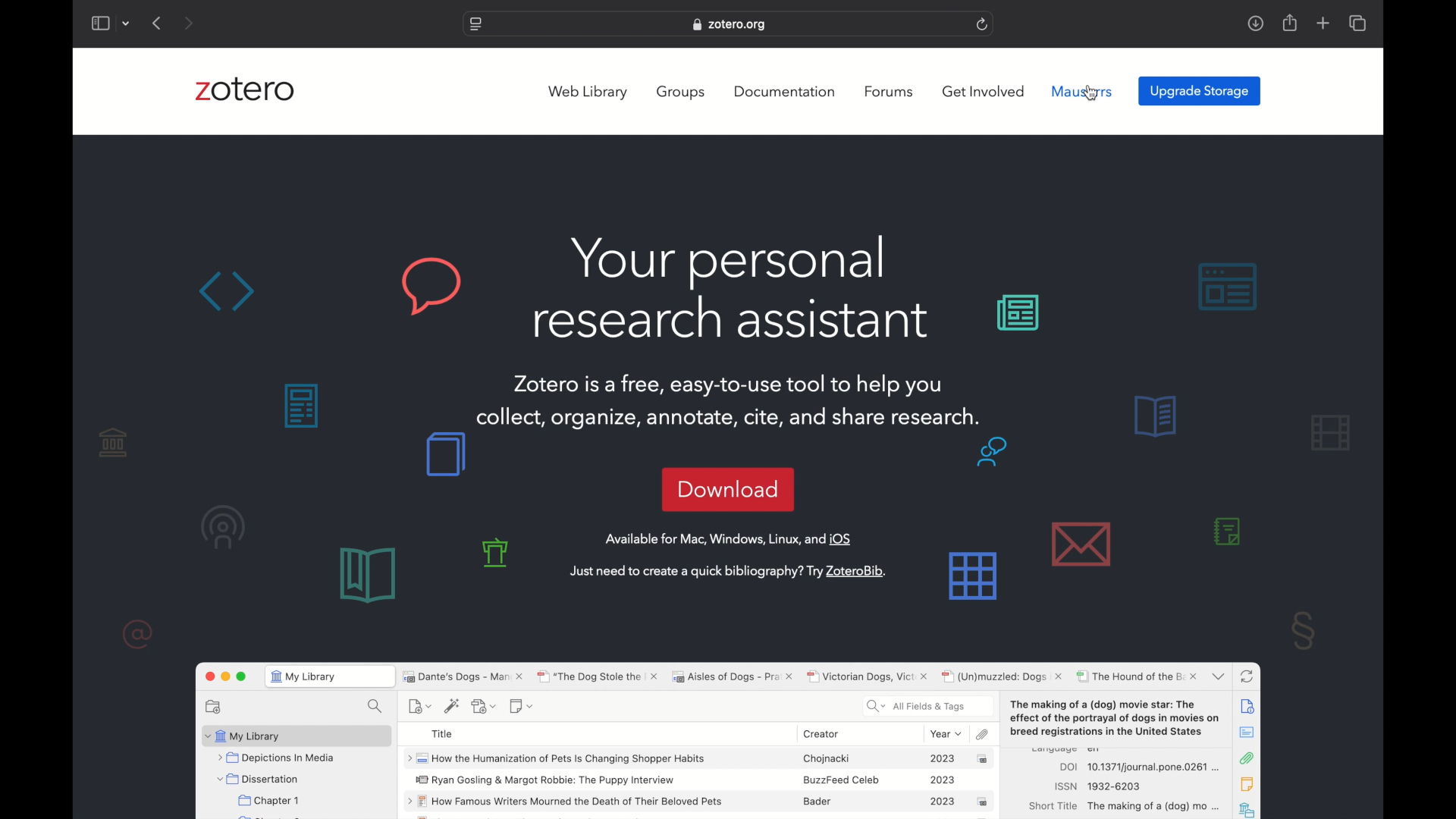 The height and width of the screenshot is (819, 1456). Describe the element at coordinates (682, 93) in the screenshot. I see `groups` at that location.